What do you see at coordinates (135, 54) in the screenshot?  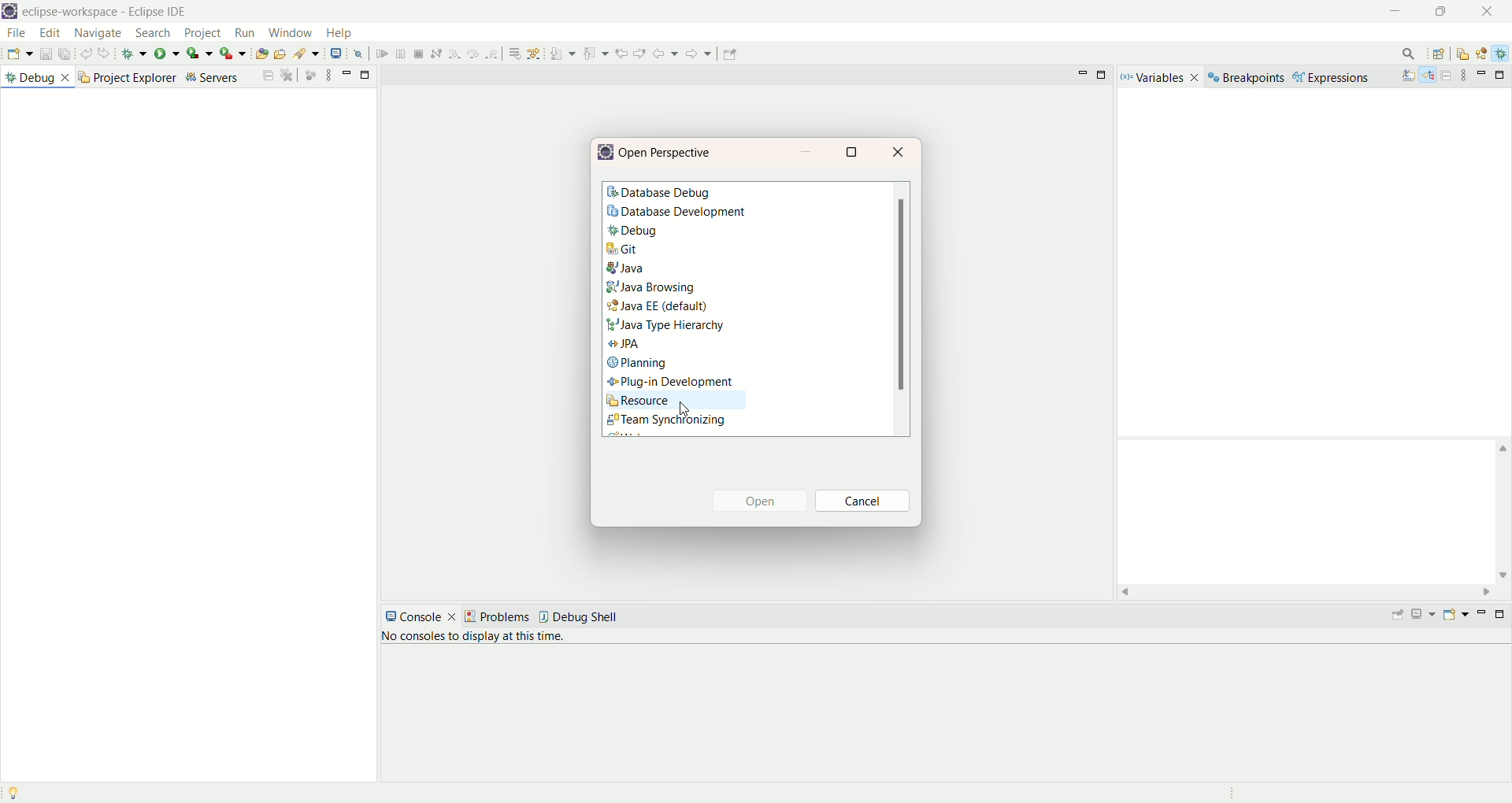 I see `debug` at bounding box center [135, 54].